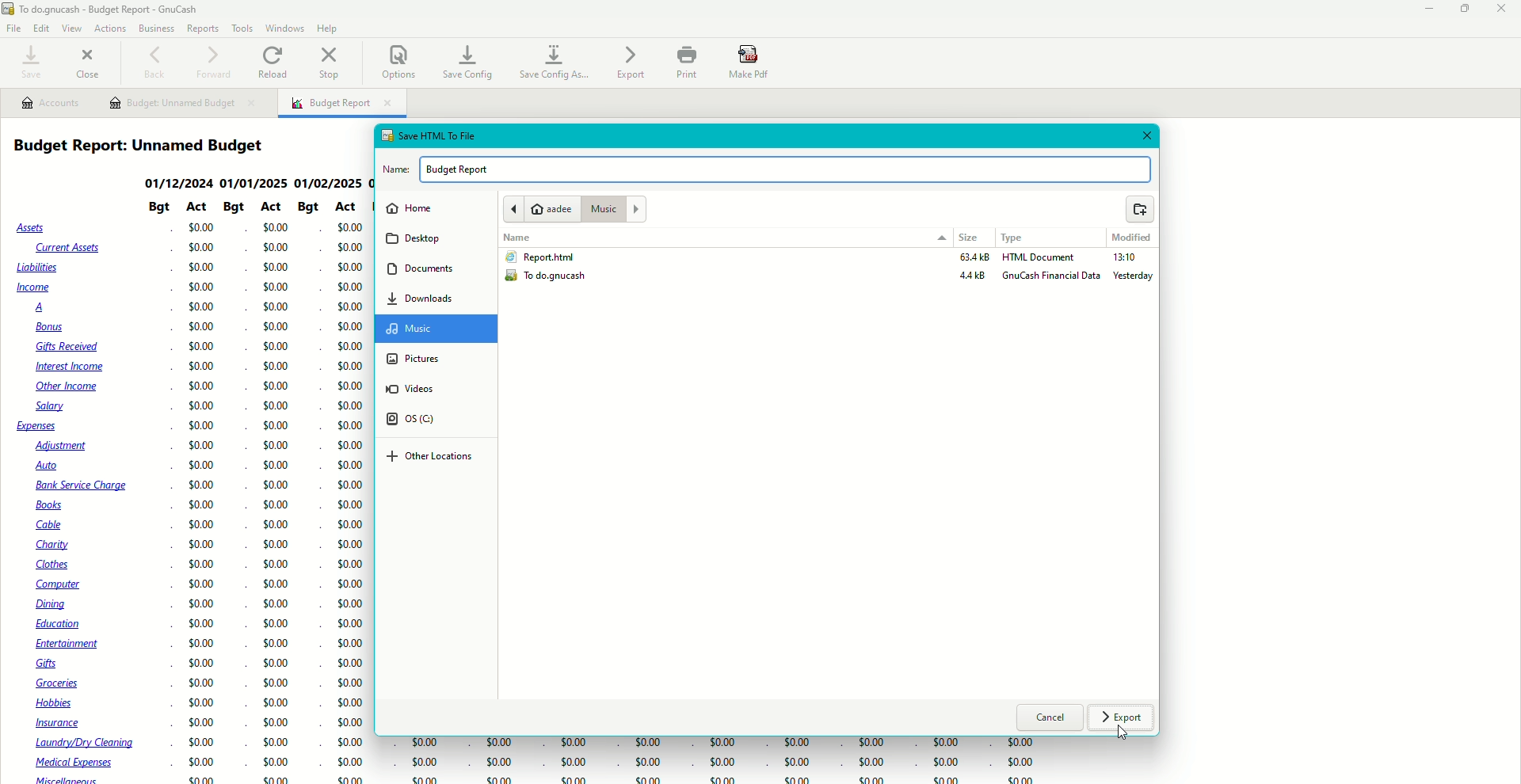 The width and height of the screenshot is (1521, 784). Describe the element at coordinates (1504, 10) in the screenshot. I see `Close` at that location.